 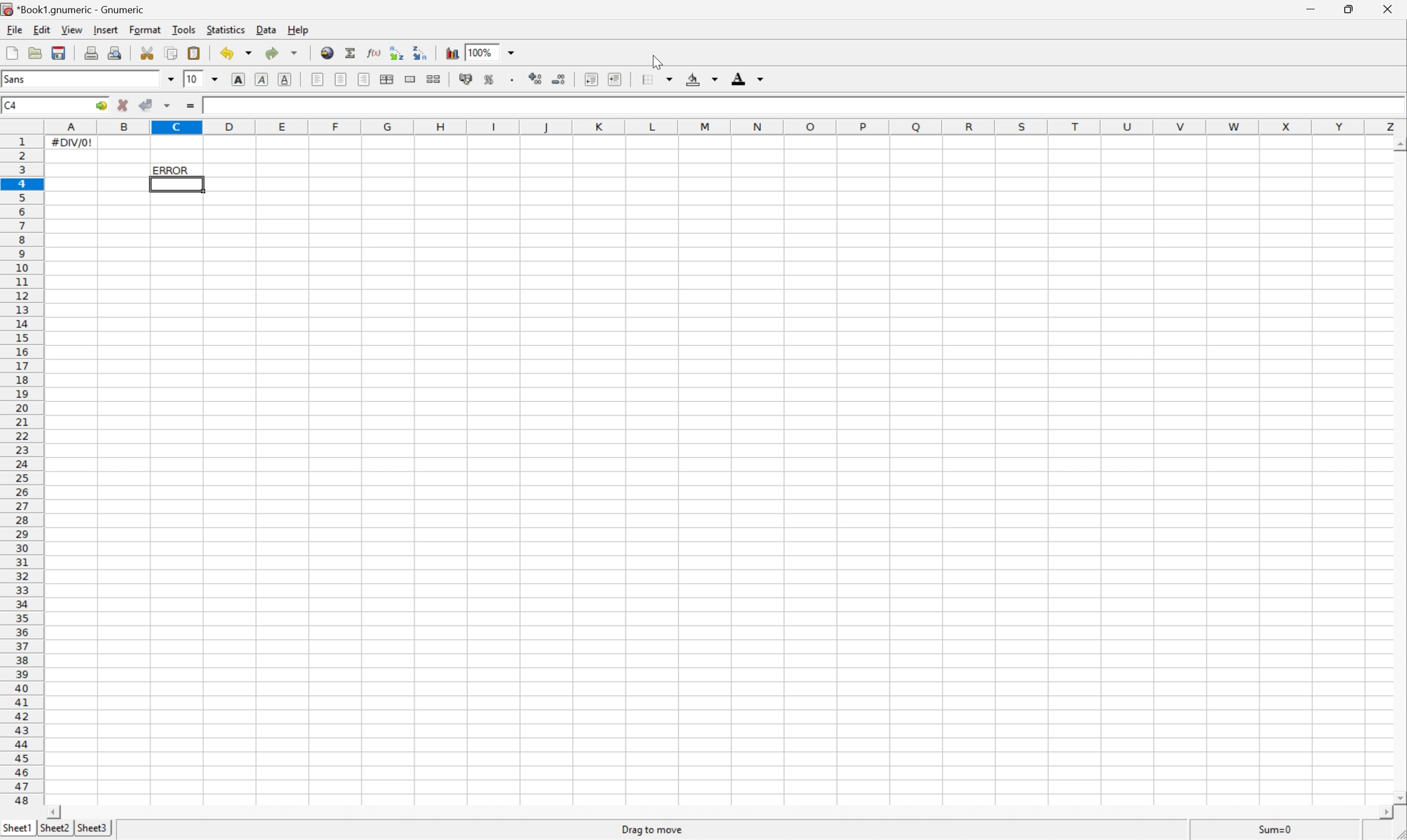 I want to click on 10, so click(x=196, y=79).